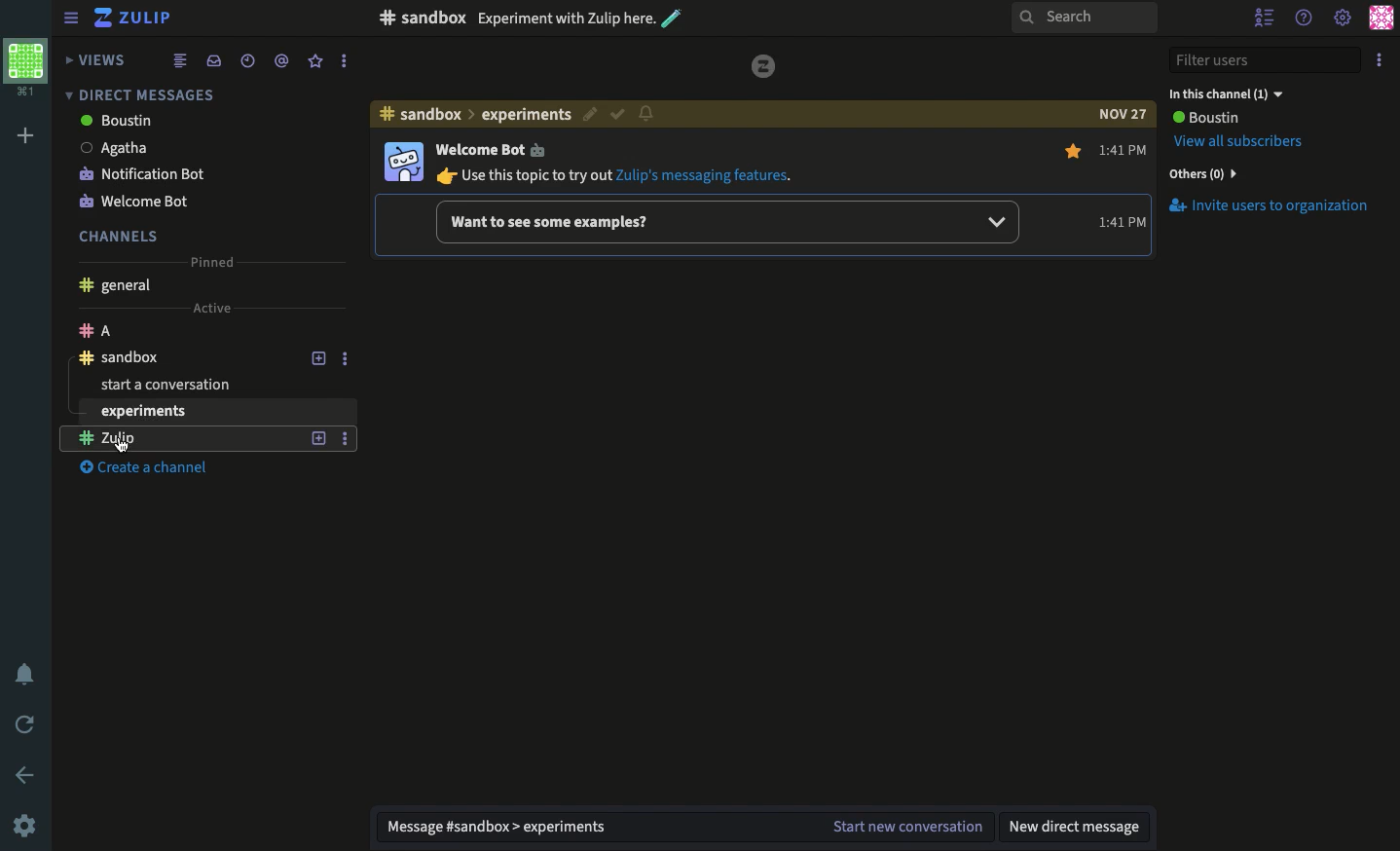  I want to click on Welcome bot, so click(184, 200).